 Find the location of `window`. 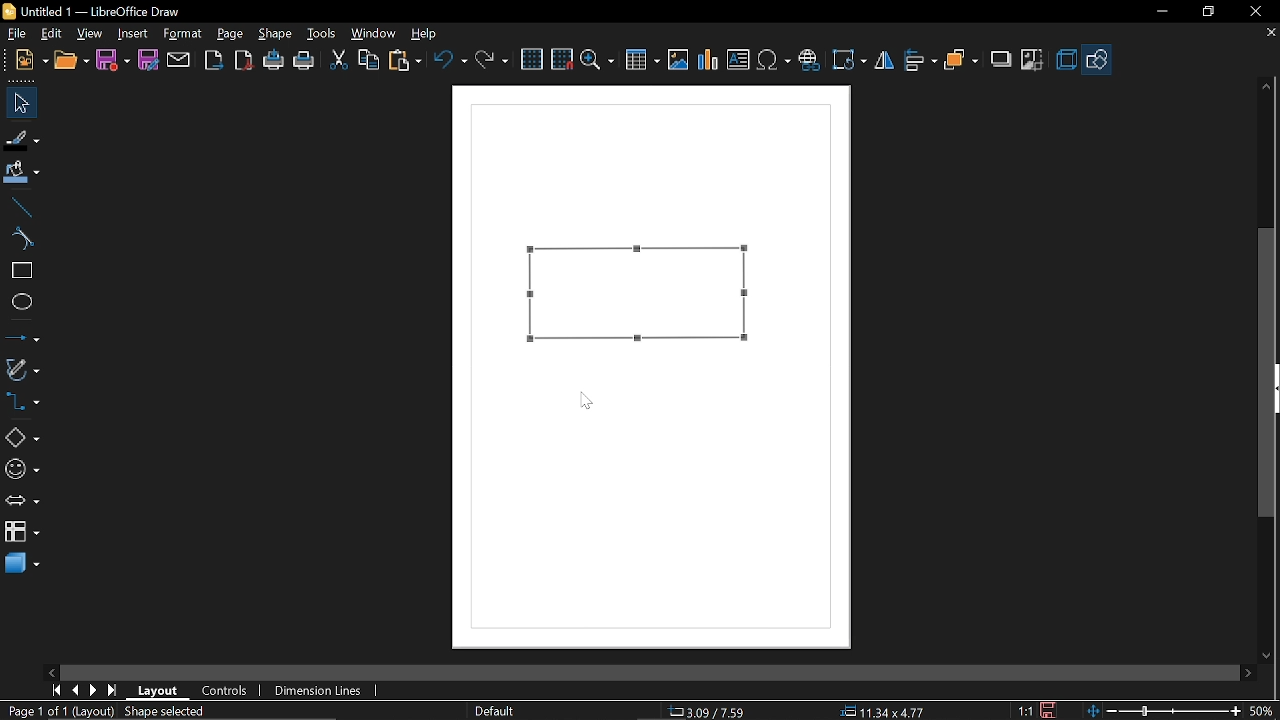

window is located at coordinates (376, 33).